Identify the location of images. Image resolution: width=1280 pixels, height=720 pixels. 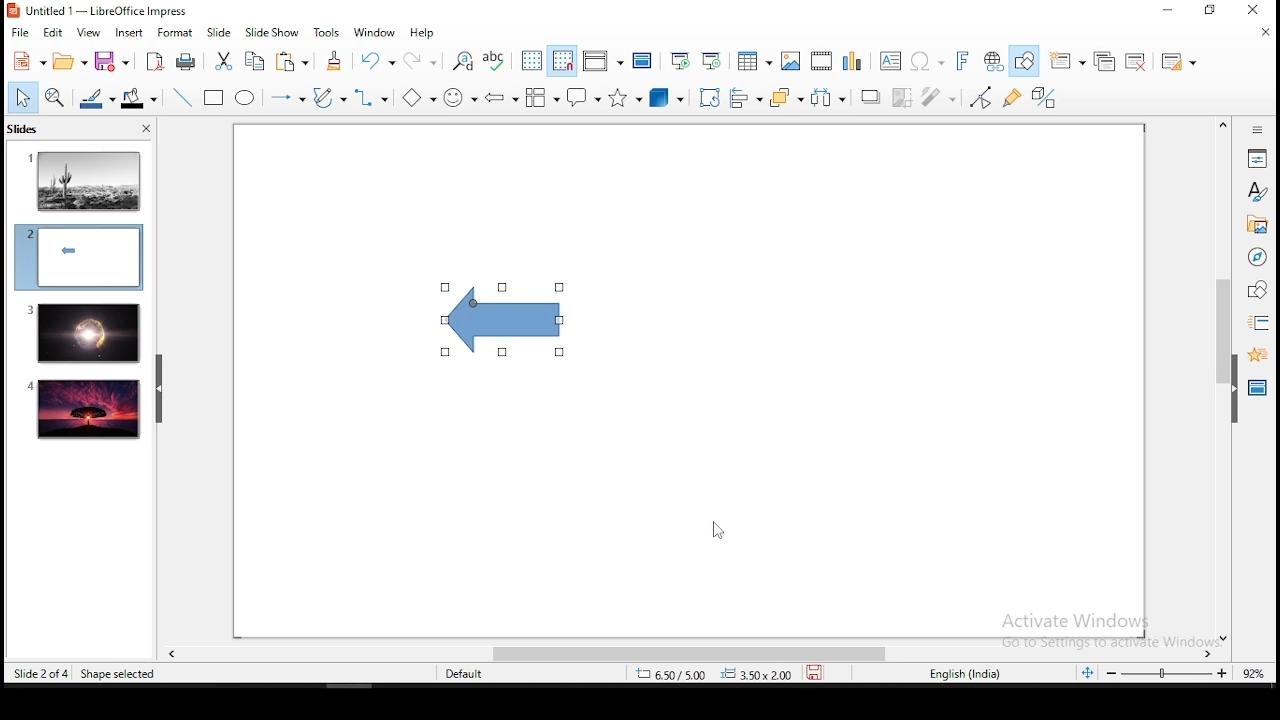
(789, 61).